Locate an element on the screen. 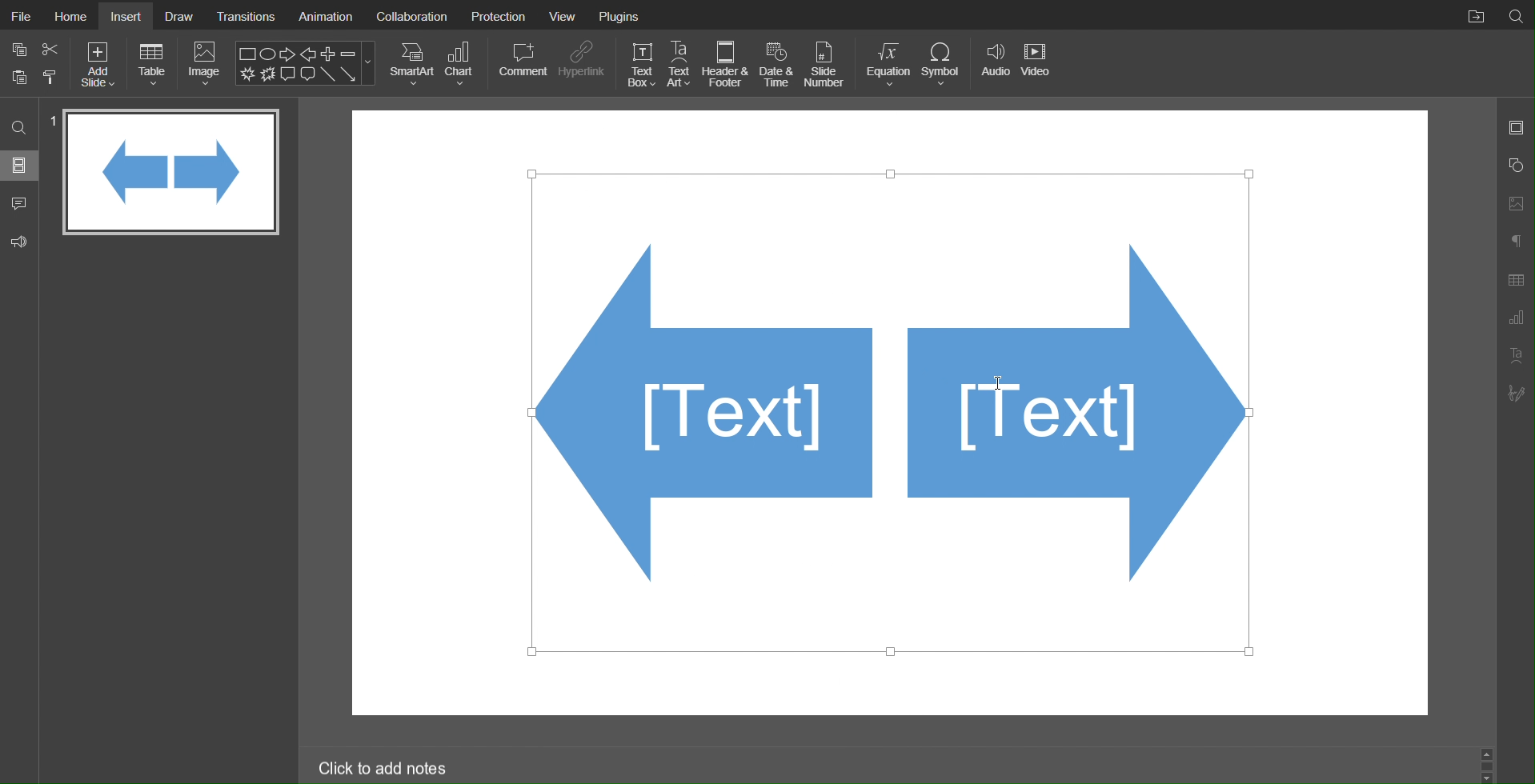 This screenshot has height=784, width=1535. Animation is located at coordinates (325, 14).